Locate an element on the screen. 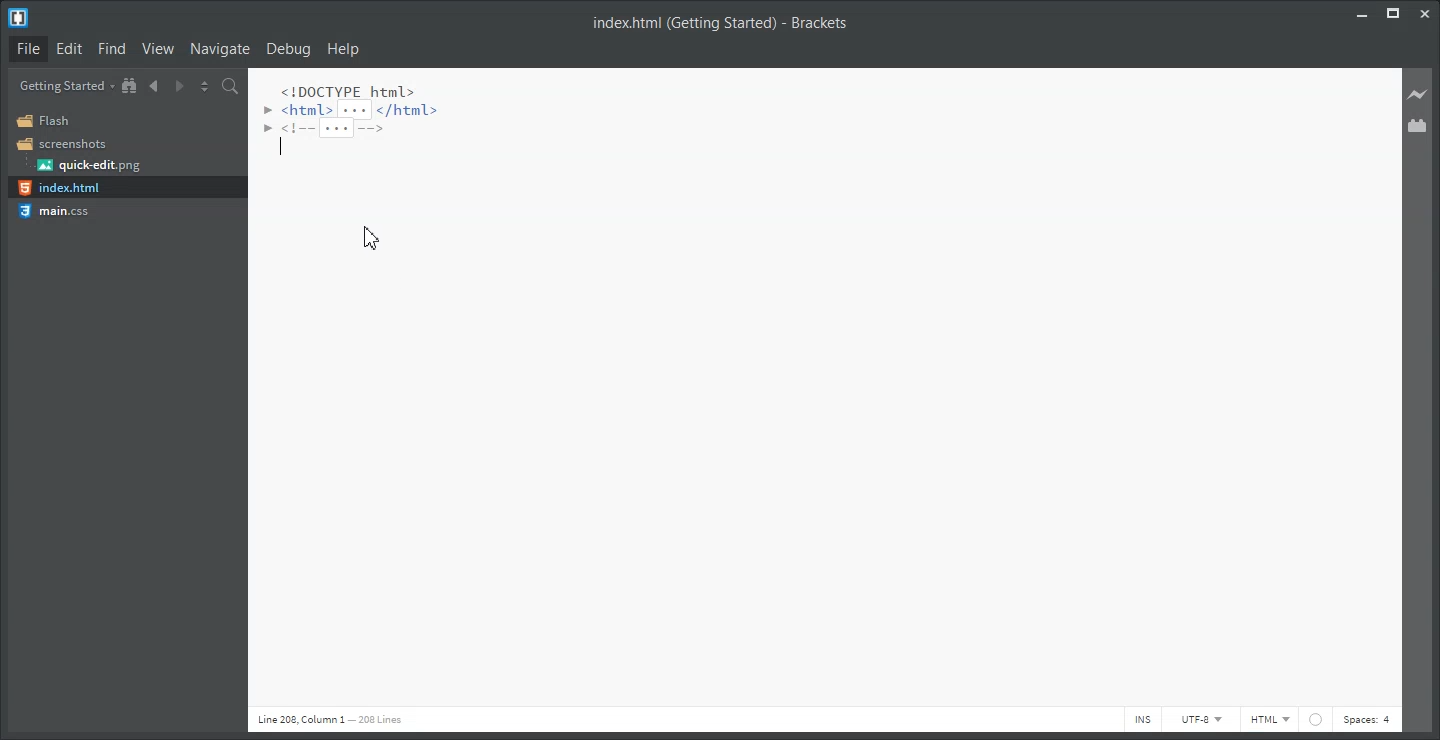 The image size is (1440, 740). Help is located at coordinates (346, 49).